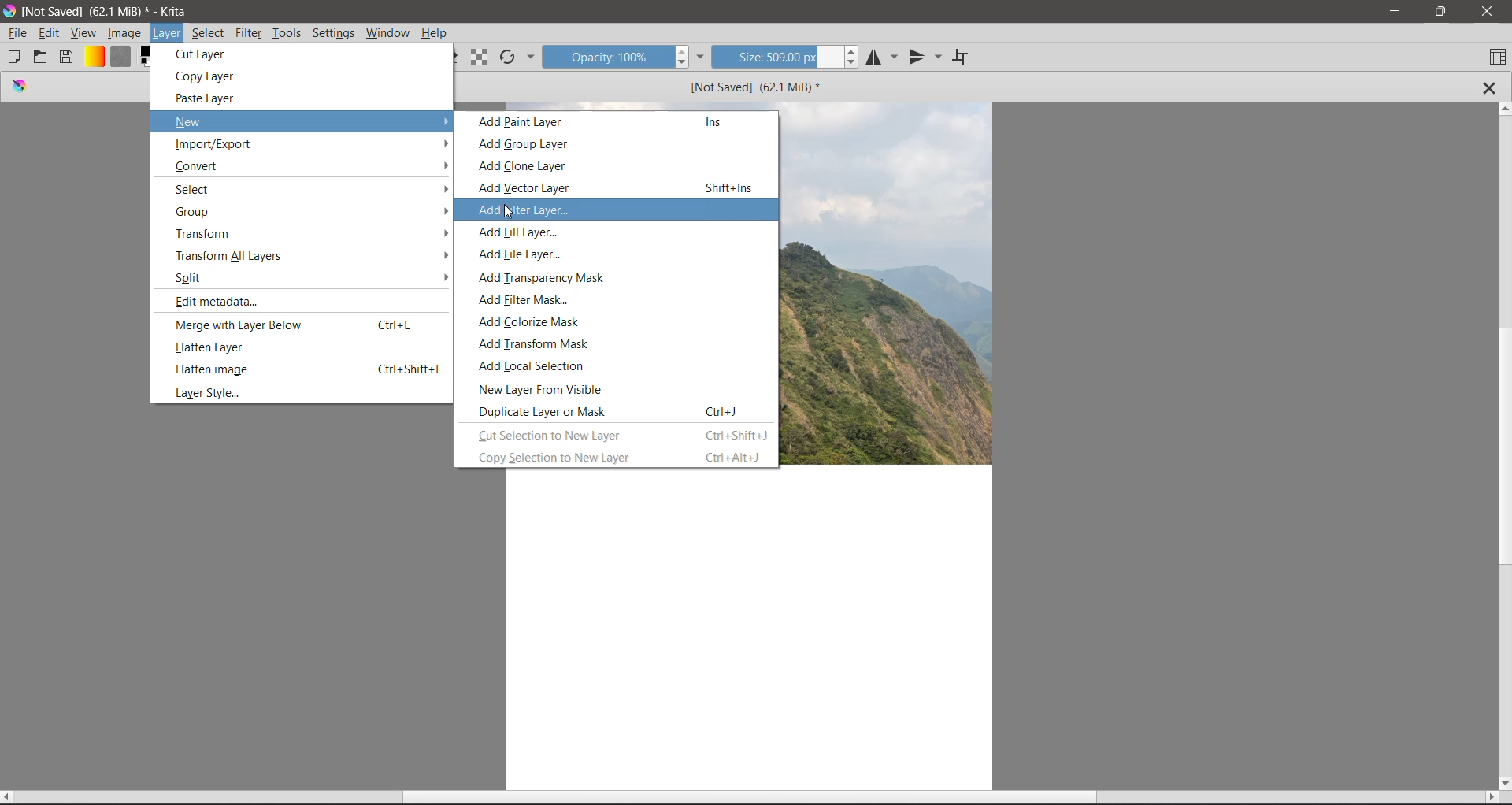 The width and height of the screenshot is (1512, 805). What do you see at coordinates (50, 33) in the screenshot?
I see `Edit` at bounding box center [50, 33].